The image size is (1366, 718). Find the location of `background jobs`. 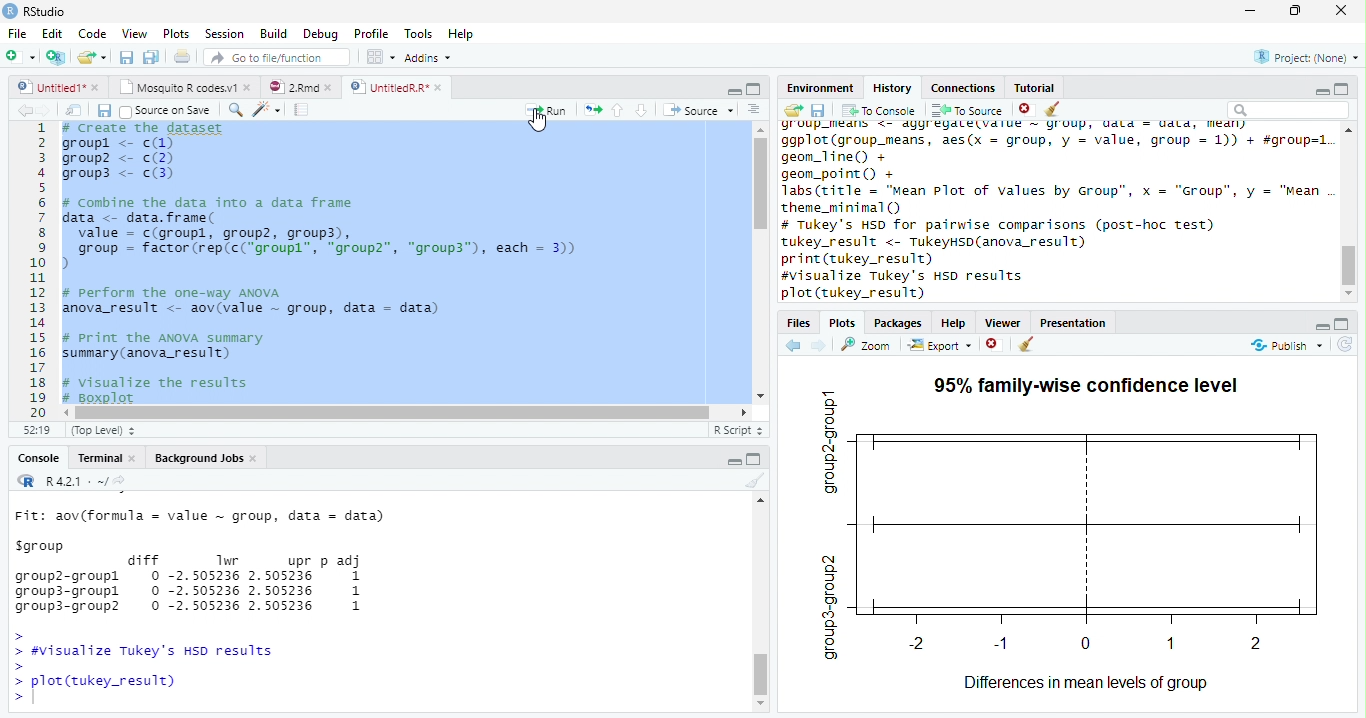

background jobs is located at coordinates (207, 460).